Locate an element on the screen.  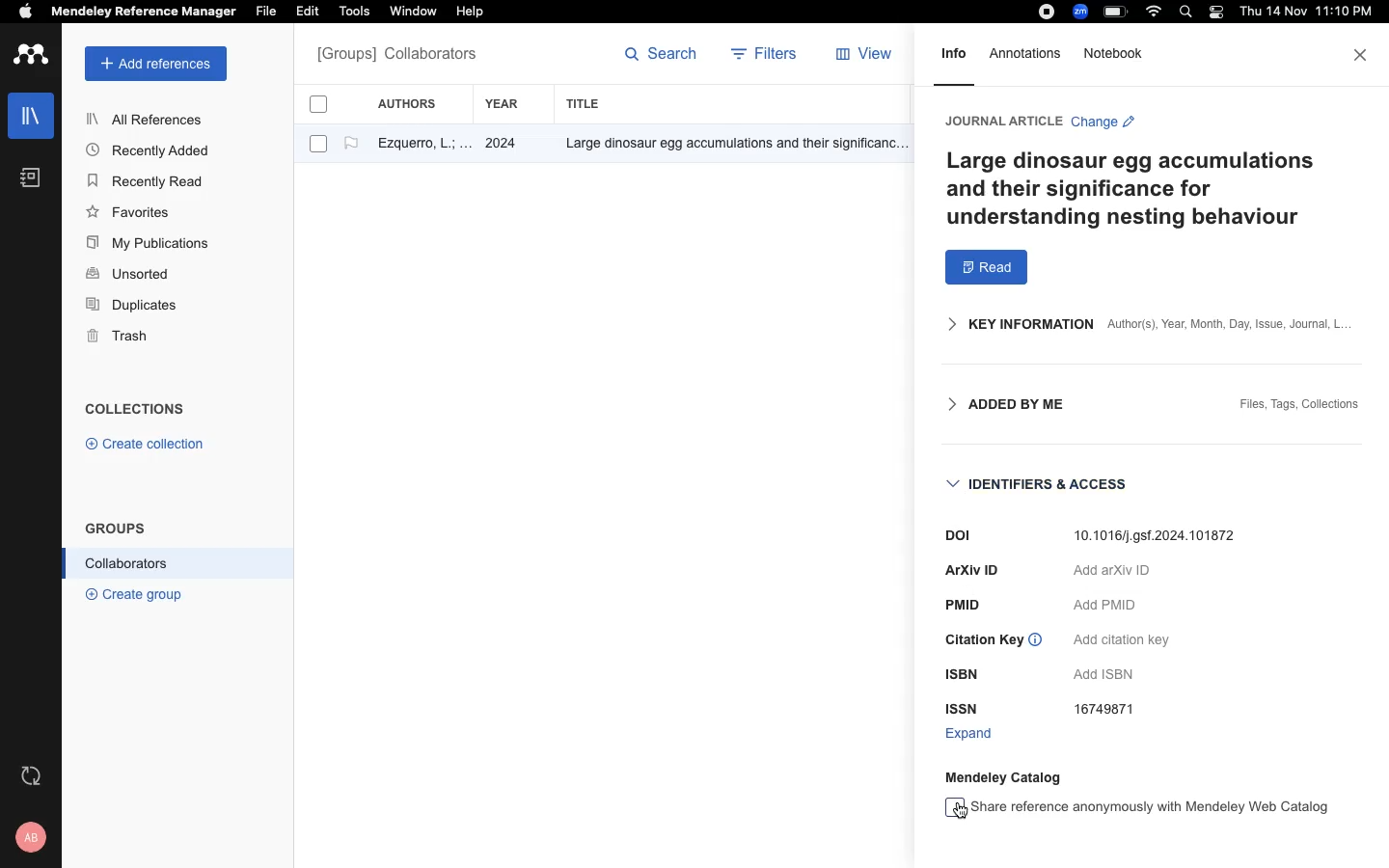
author is located at coordinates (416, 146).